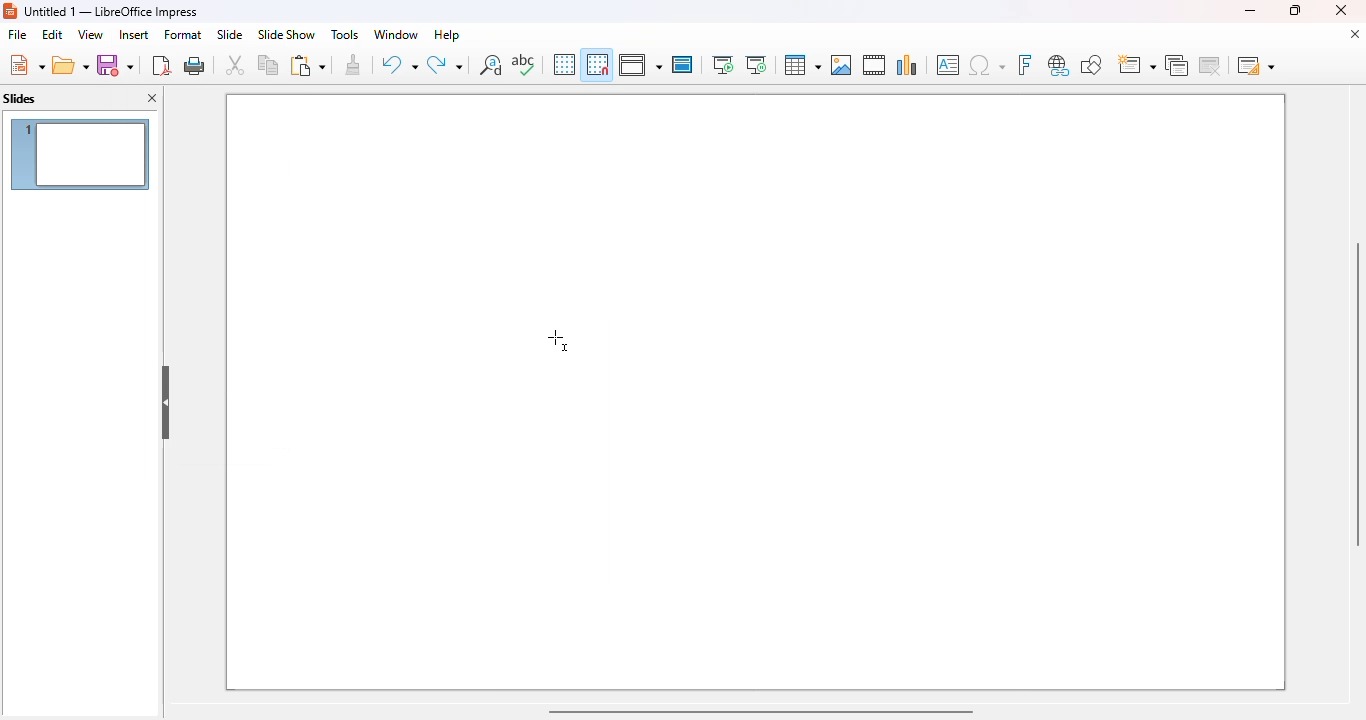 The height and width of the screenshot is (720, 1366). What do you see at coordinates (395, 34) in the screenshot?
I see `window` at bounding box center [395, 34].